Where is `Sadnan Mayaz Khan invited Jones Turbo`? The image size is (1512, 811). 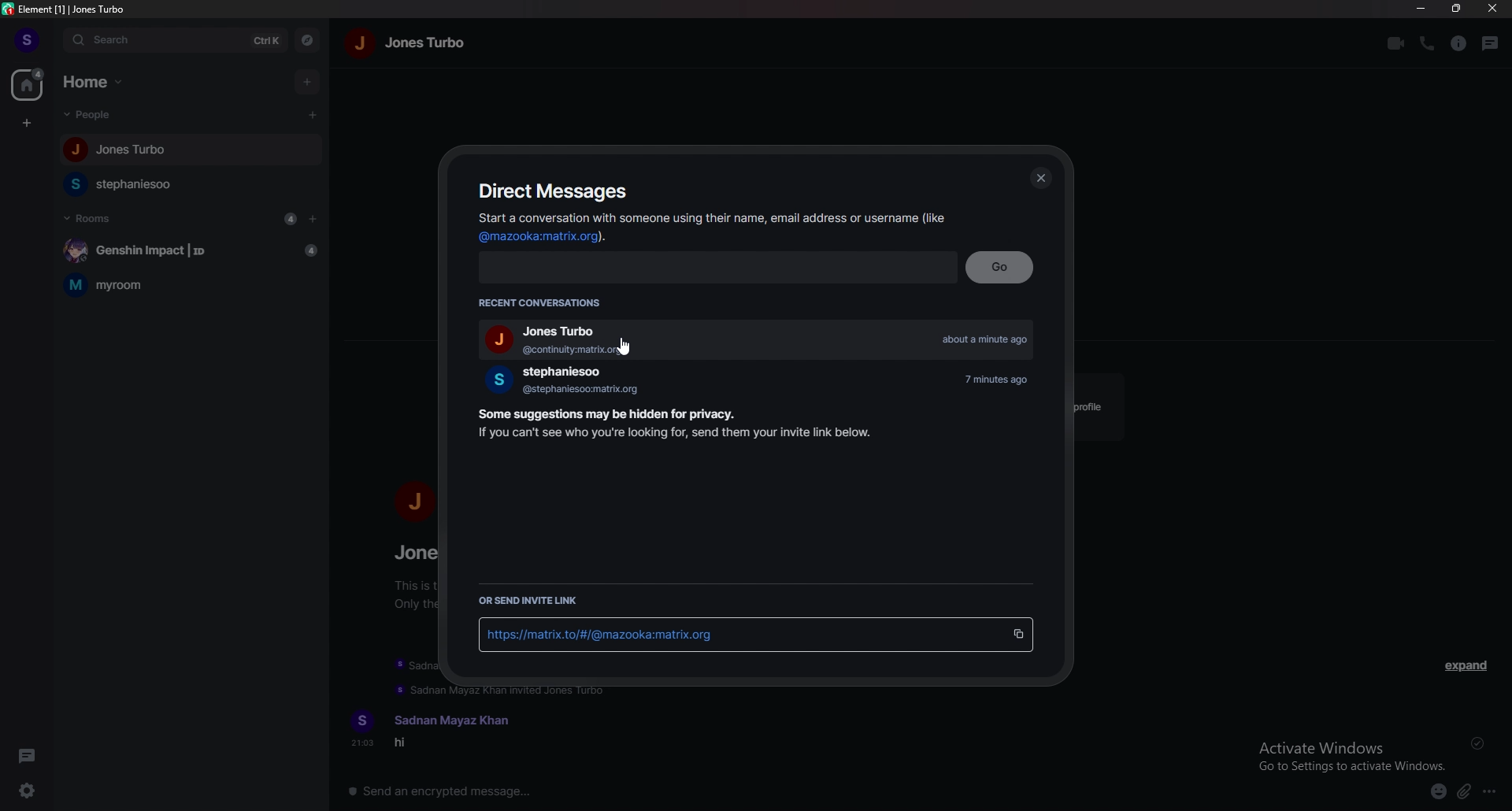
Sadnan Mayaz Khan invited Jones Turbo is located at coordinates (516, 691).